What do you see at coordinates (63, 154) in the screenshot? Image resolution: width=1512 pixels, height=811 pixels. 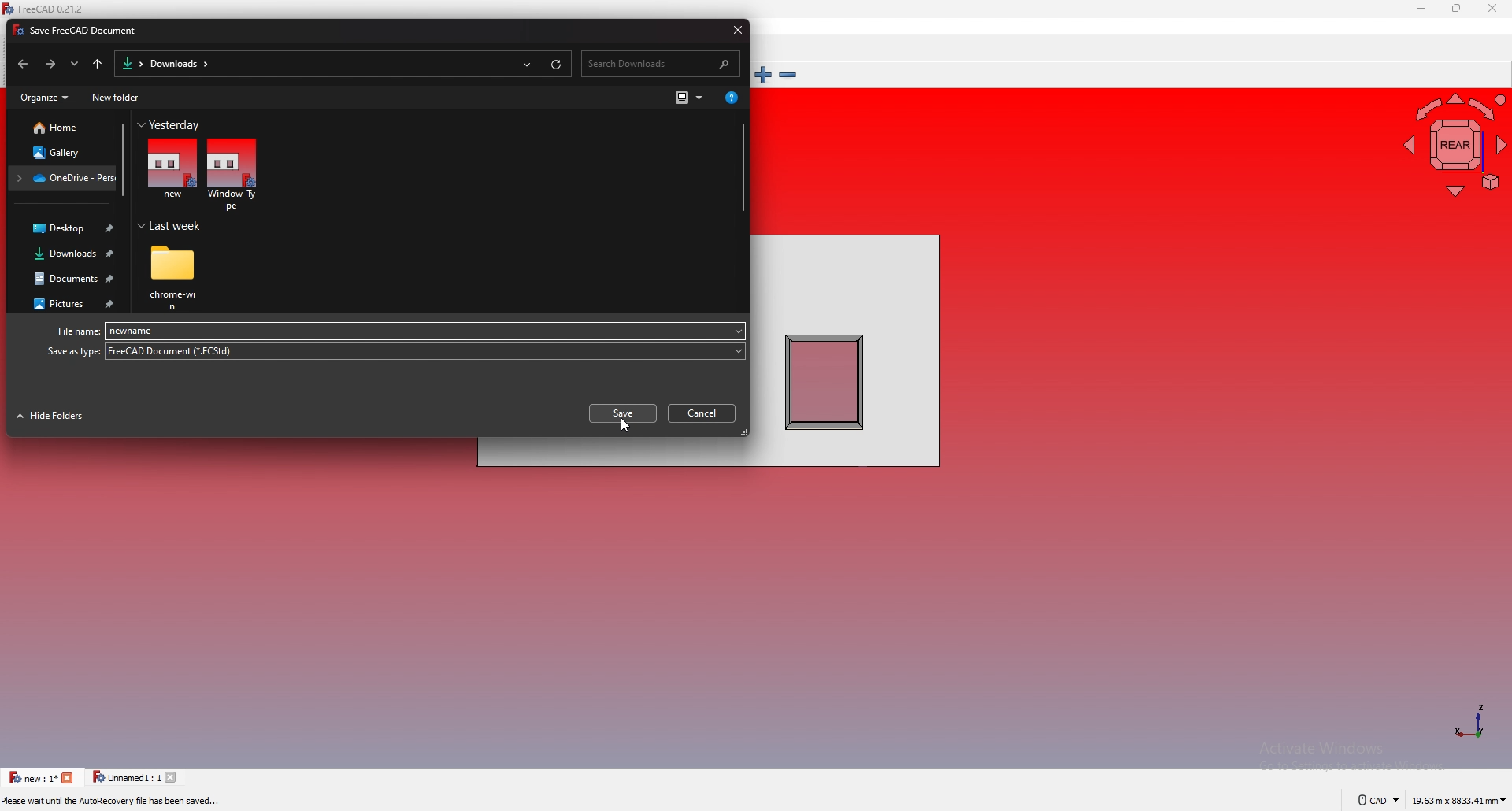 I see `gallery` at bounding box center [63, 154].